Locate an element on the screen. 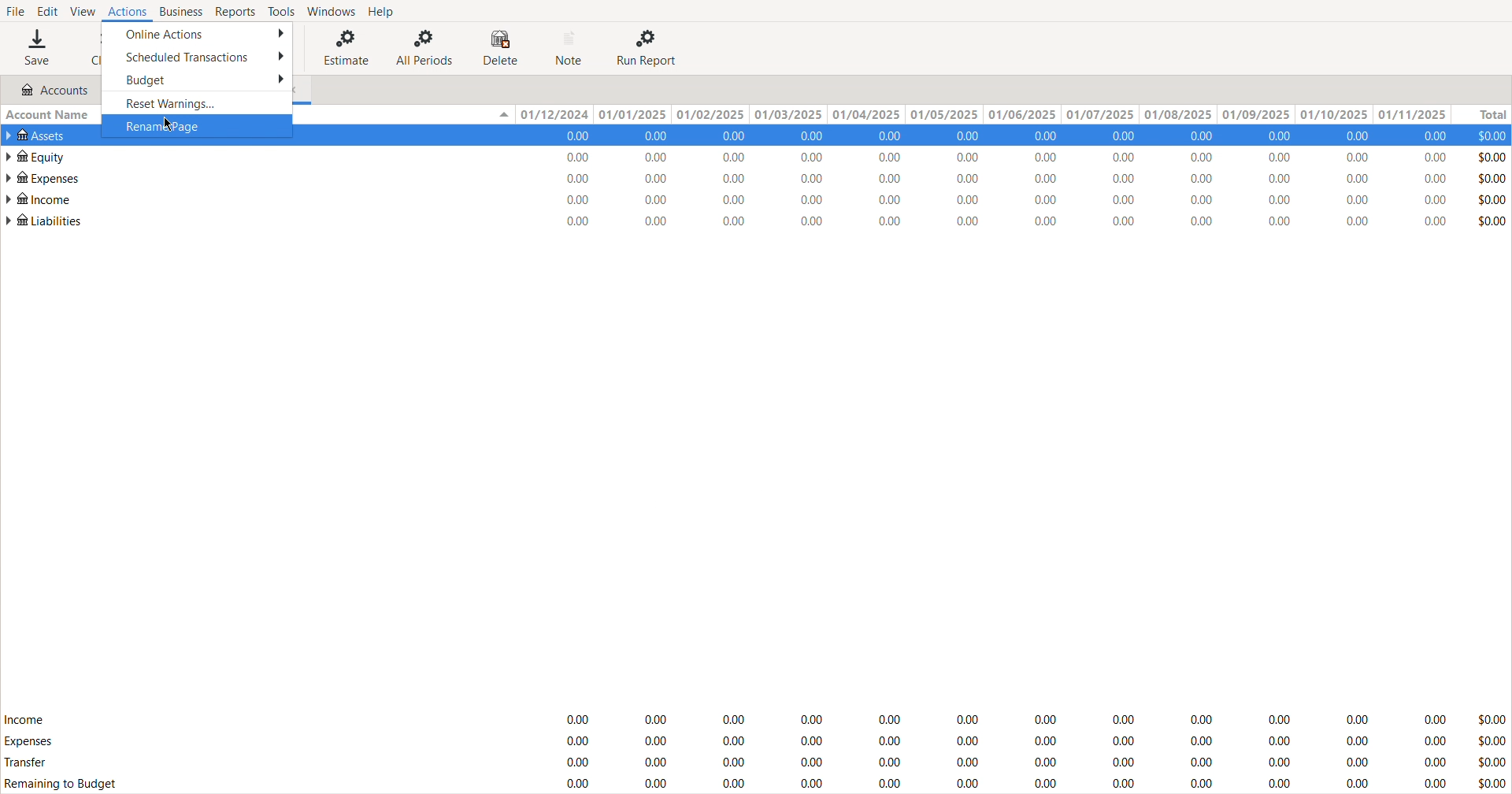 The height and width of the screenshot is (794, 1512). Reset warnings is located at coordinates (194, 102).